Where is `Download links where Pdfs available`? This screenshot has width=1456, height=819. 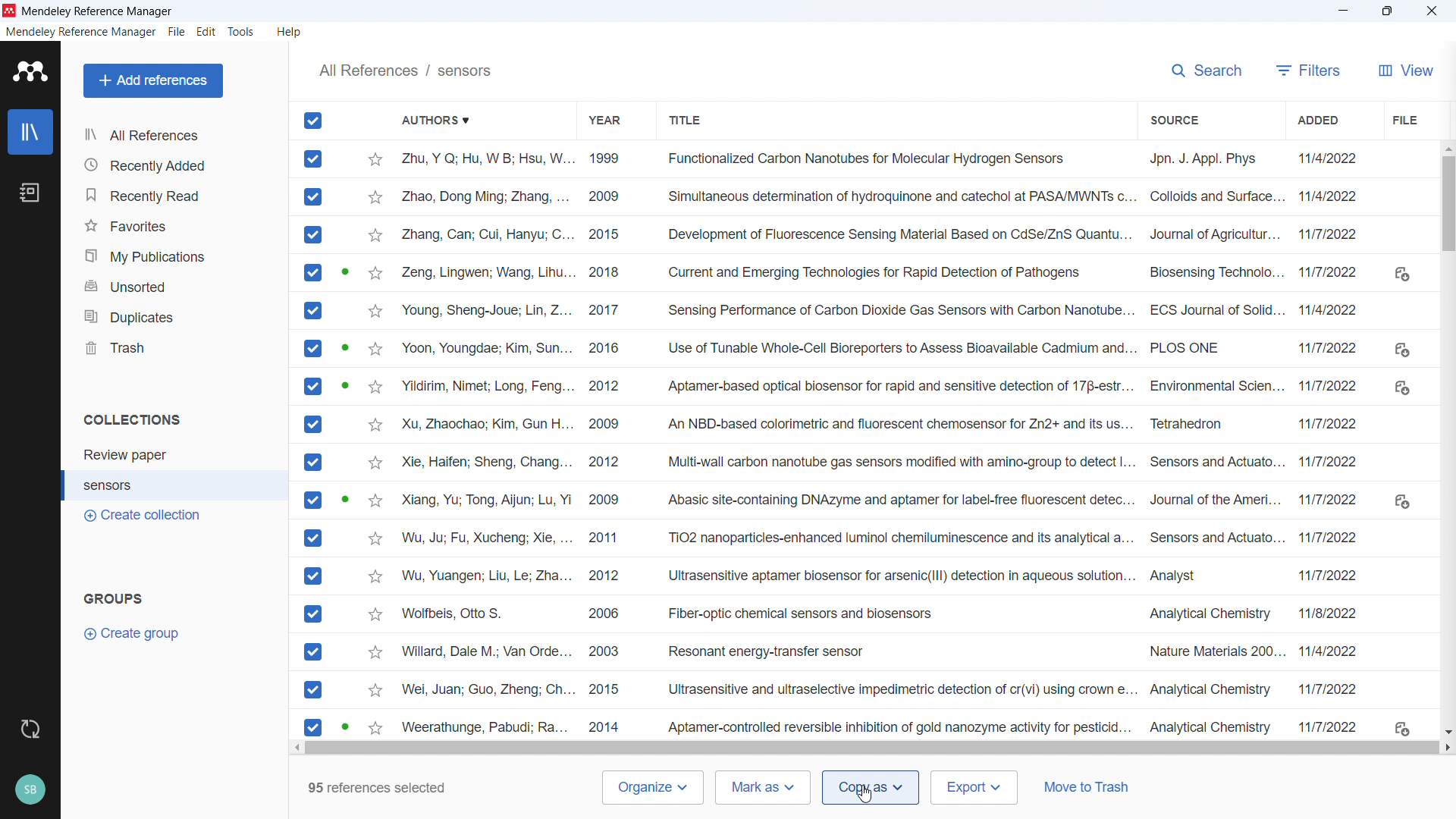
Download links where Pdfs available is located at coordinates (1403, 501).